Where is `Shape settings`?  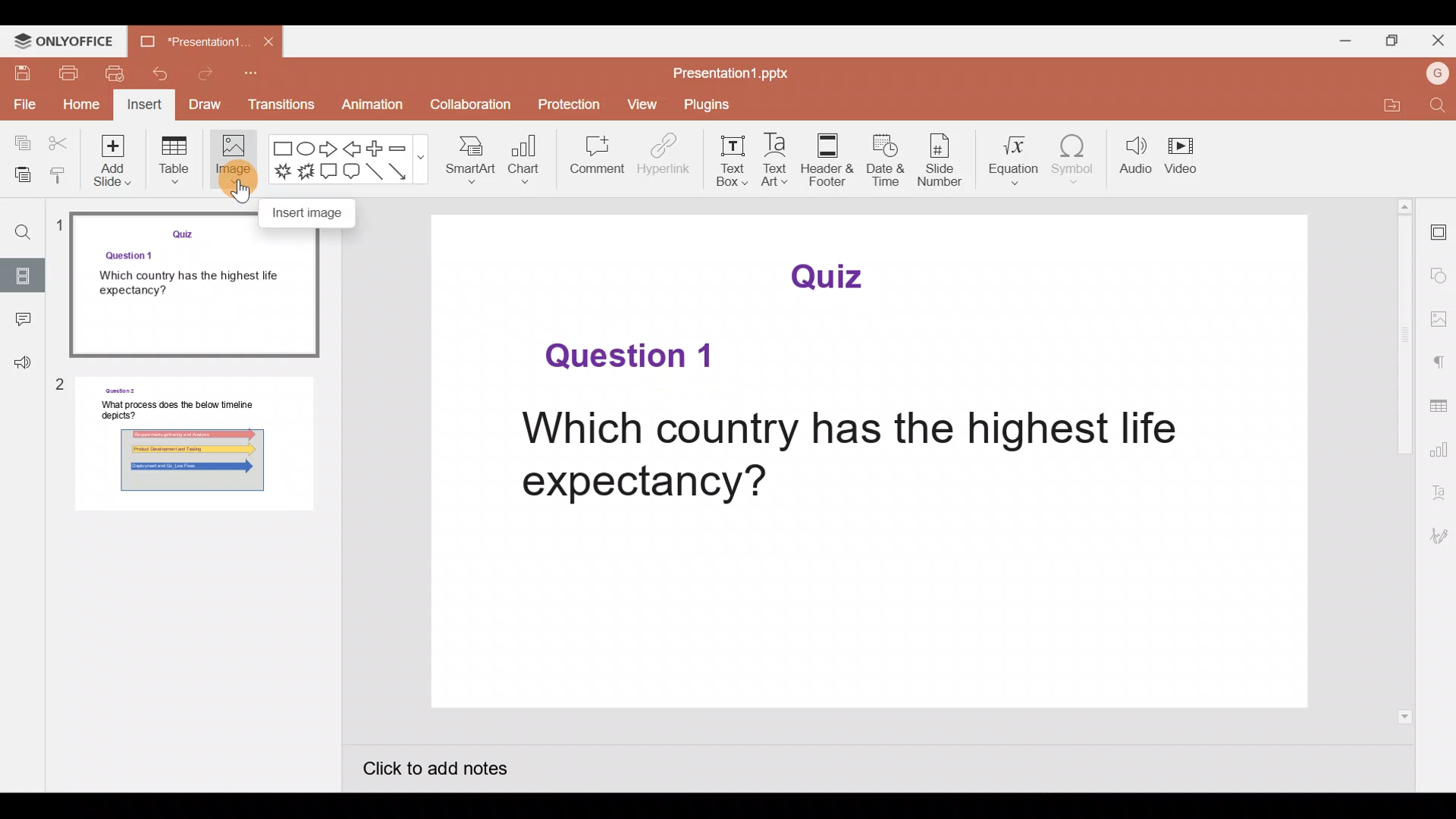
Shape settings is located at coordinates (1439, 275).